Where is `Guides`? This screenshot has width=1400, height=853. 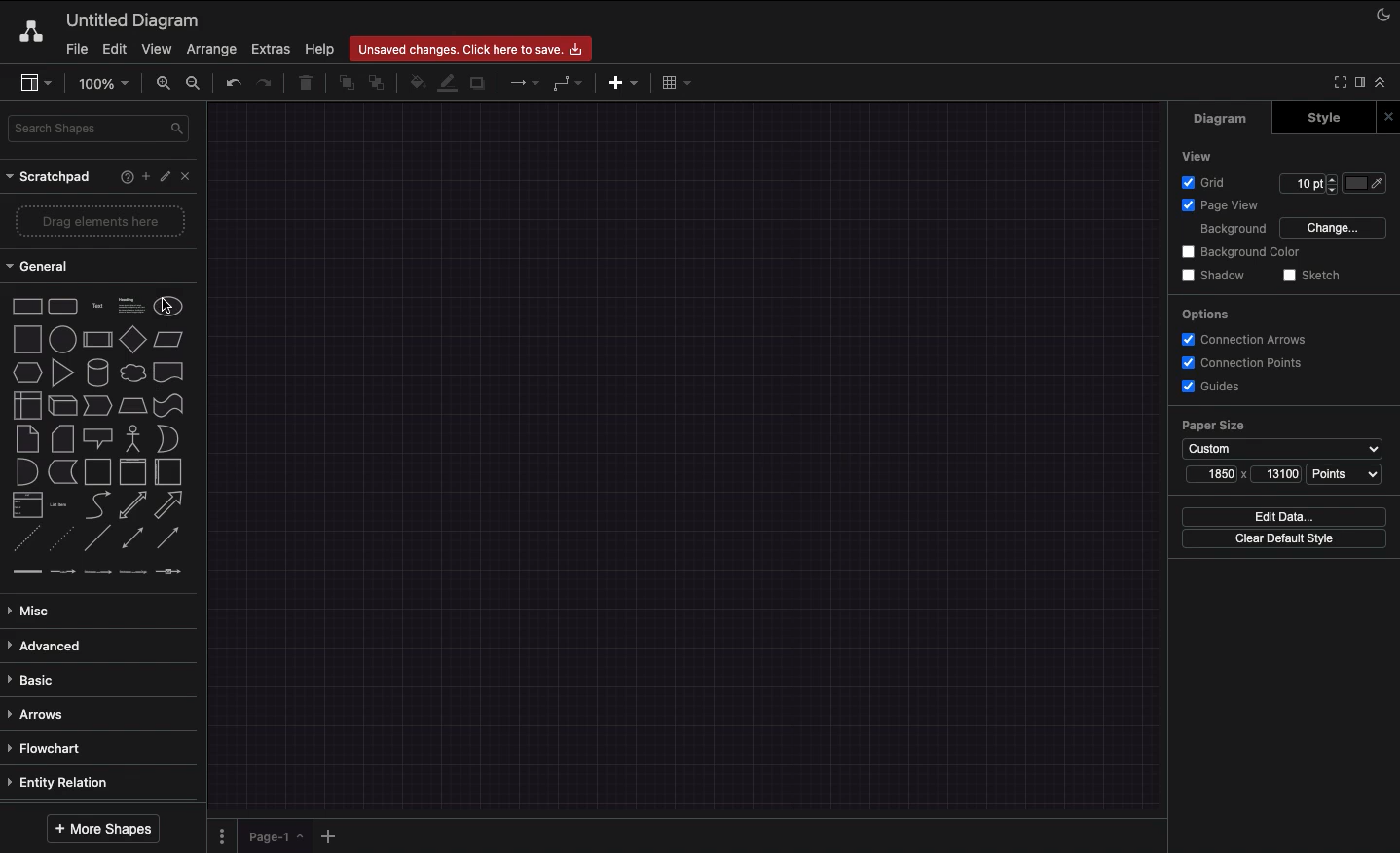 Guides is located at coordinates (1214, 388).